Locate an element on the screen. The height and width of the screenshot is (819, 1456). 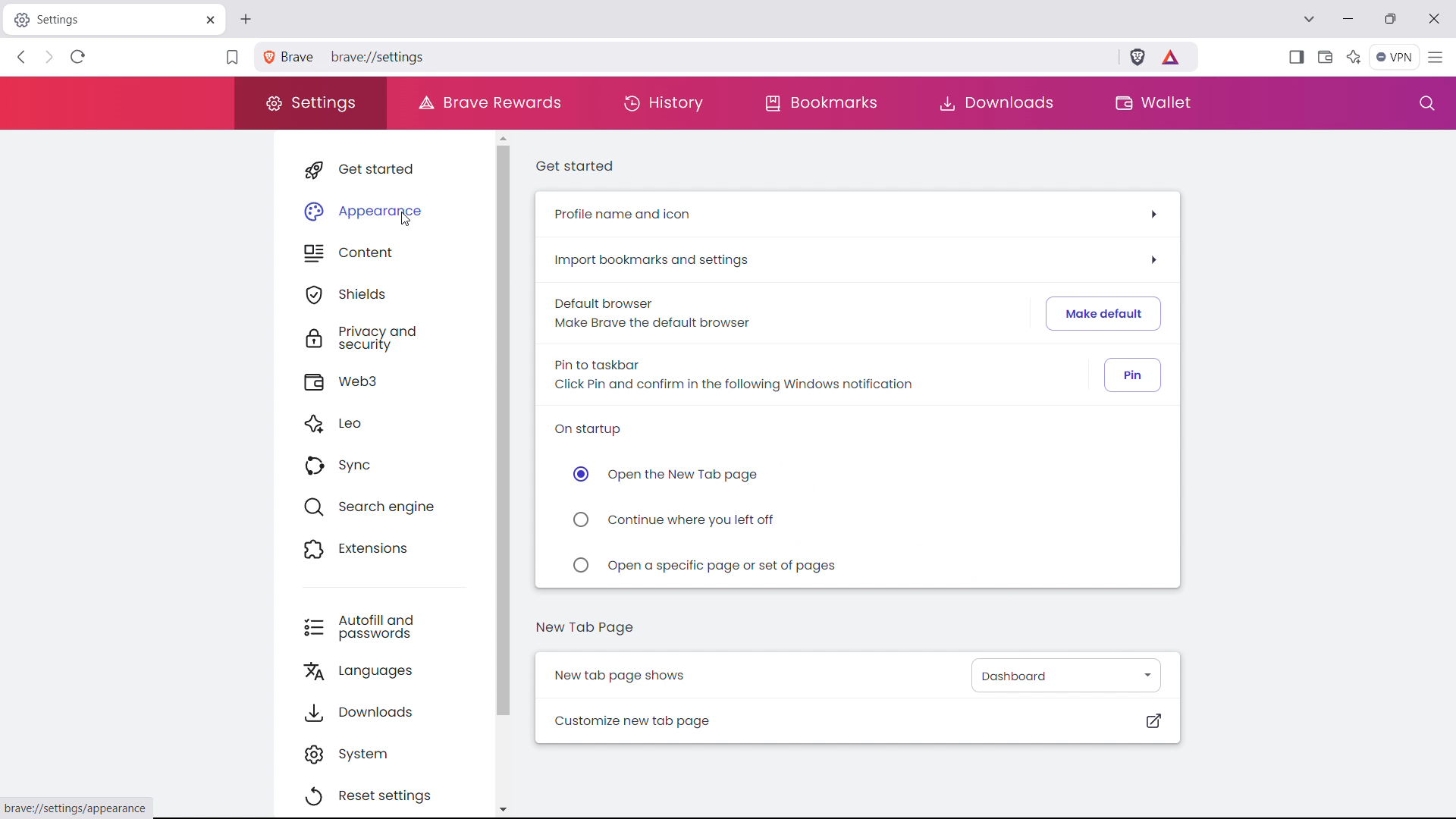
sync is located at coordinates (384, 465).